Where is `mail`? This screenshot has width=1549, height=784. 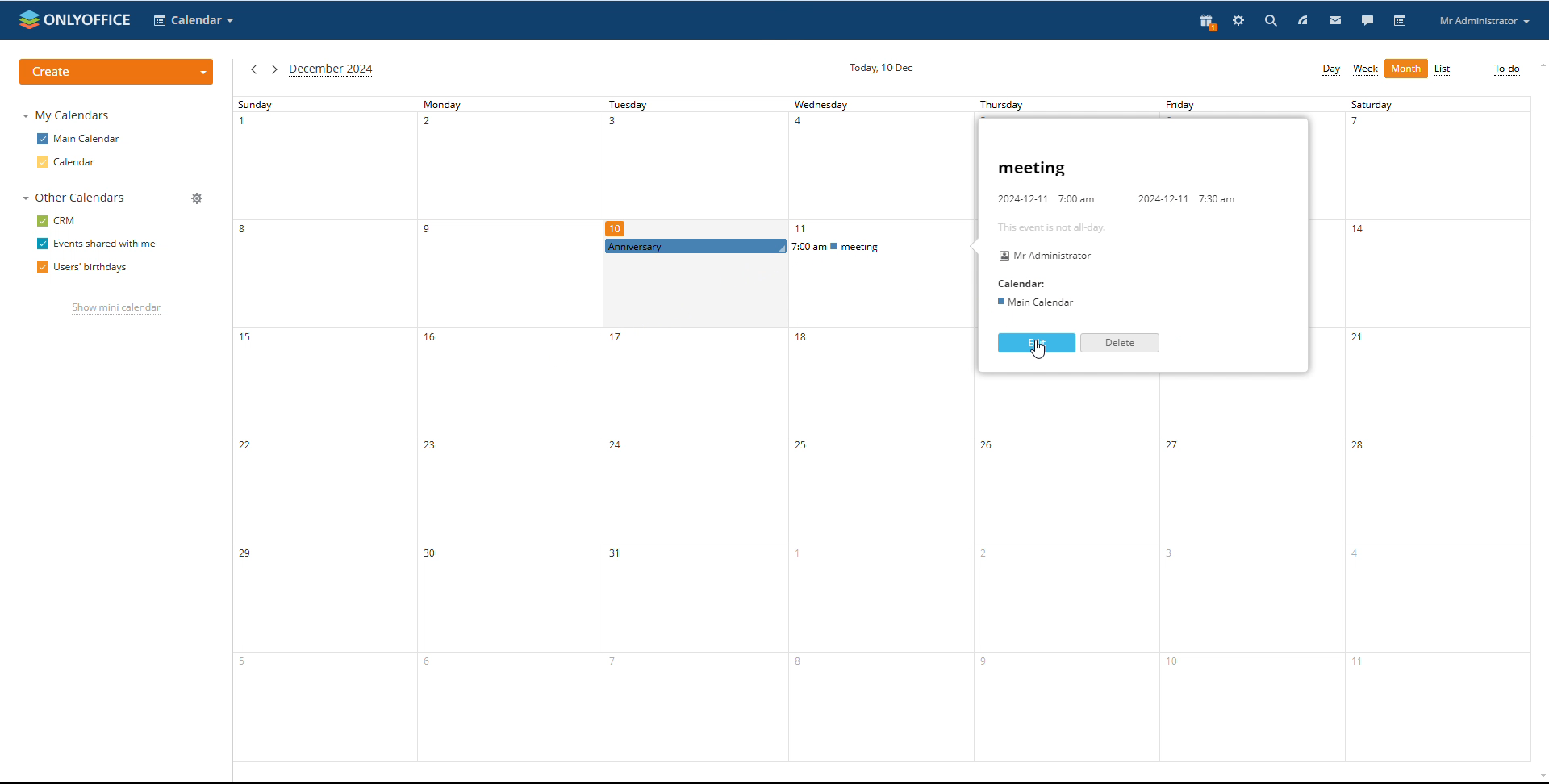 mail is located at coordinates (1336, 20).